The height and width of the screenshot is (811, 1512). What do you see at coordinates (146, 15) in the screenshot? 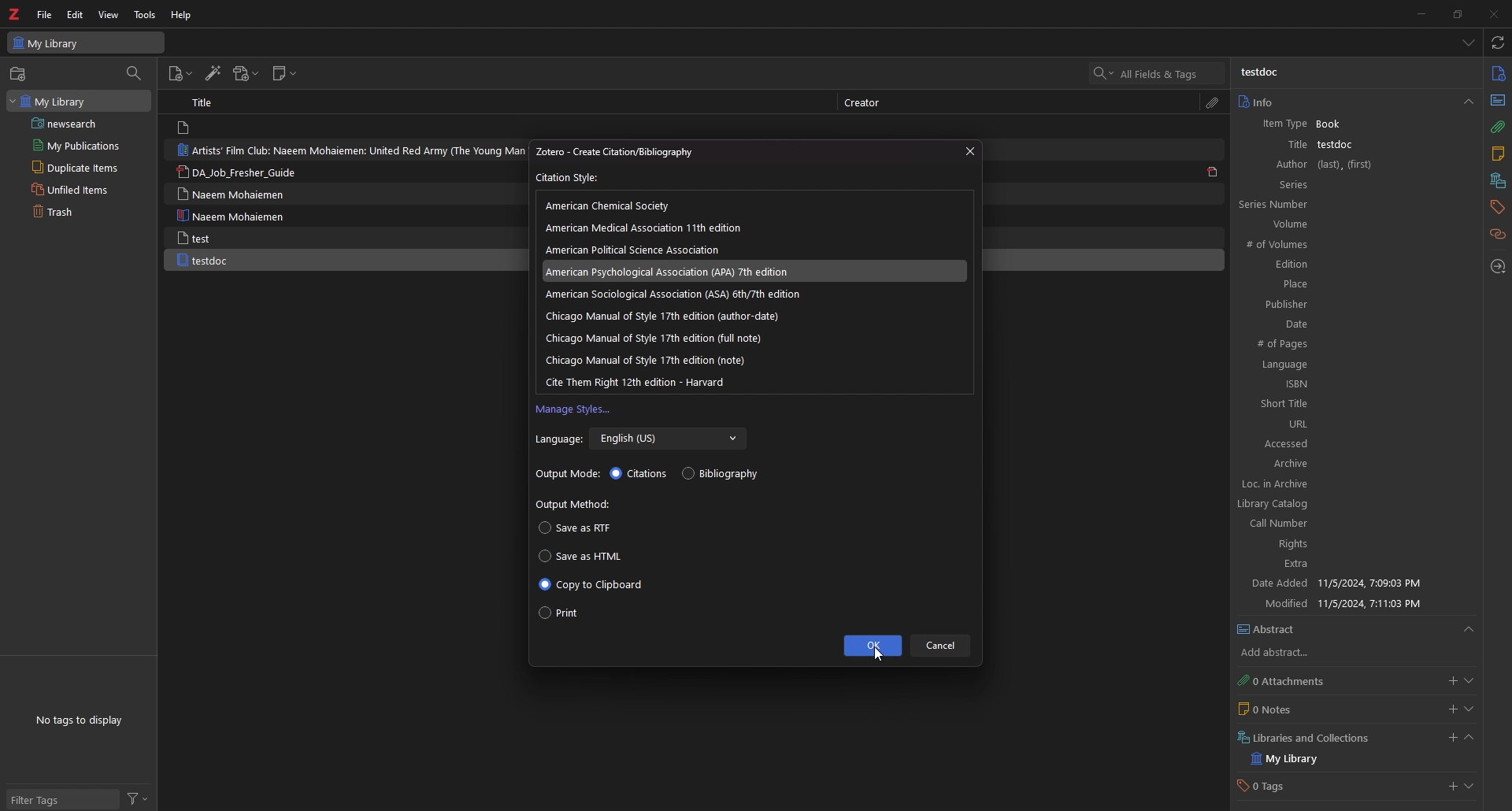
I see `tools` at bounding box center [146, 15].